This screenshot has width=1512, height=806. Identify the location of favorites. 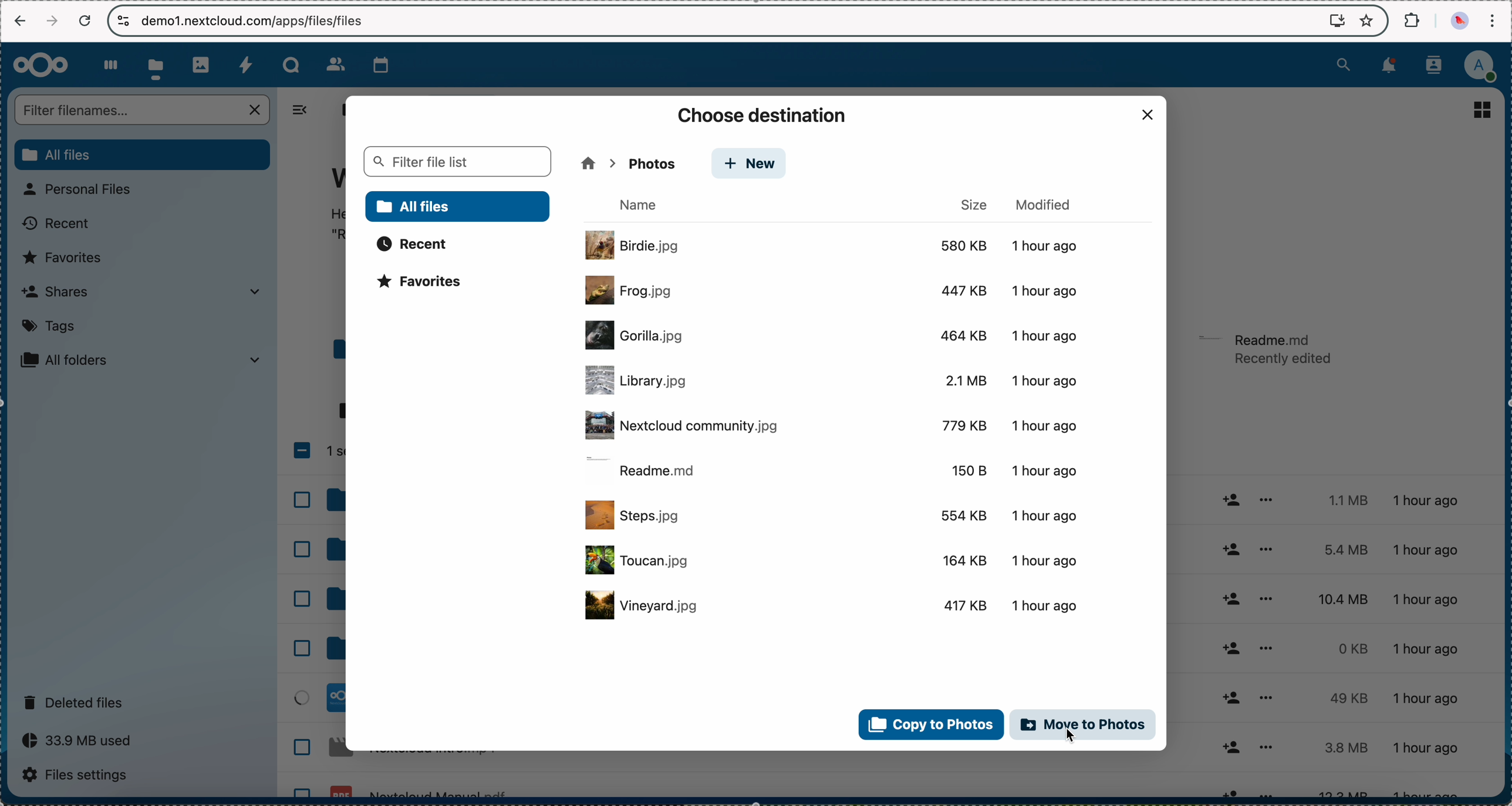
(67, 258).